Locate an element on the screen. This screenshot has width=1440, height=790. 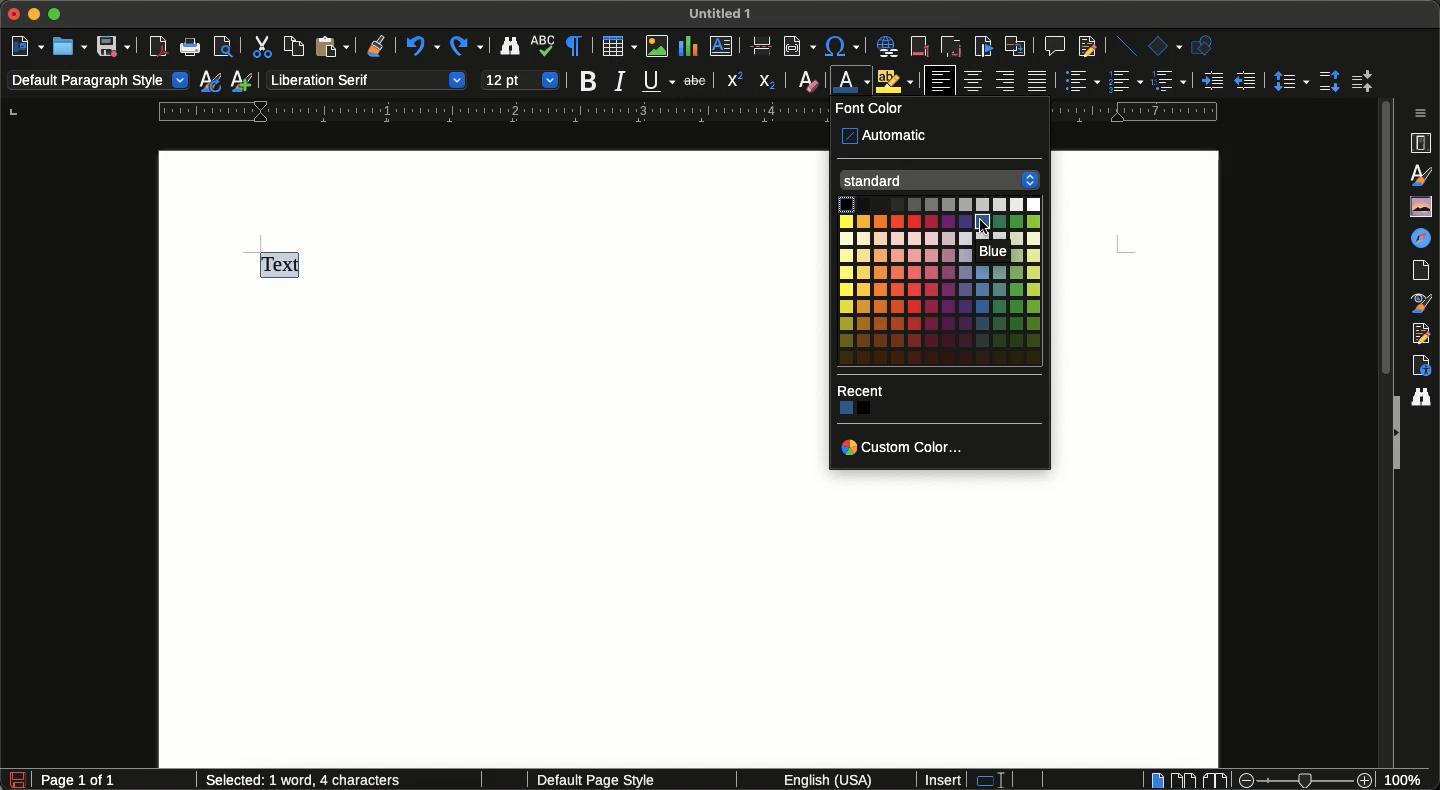
Align right  is located at coordinates (1005, 82).